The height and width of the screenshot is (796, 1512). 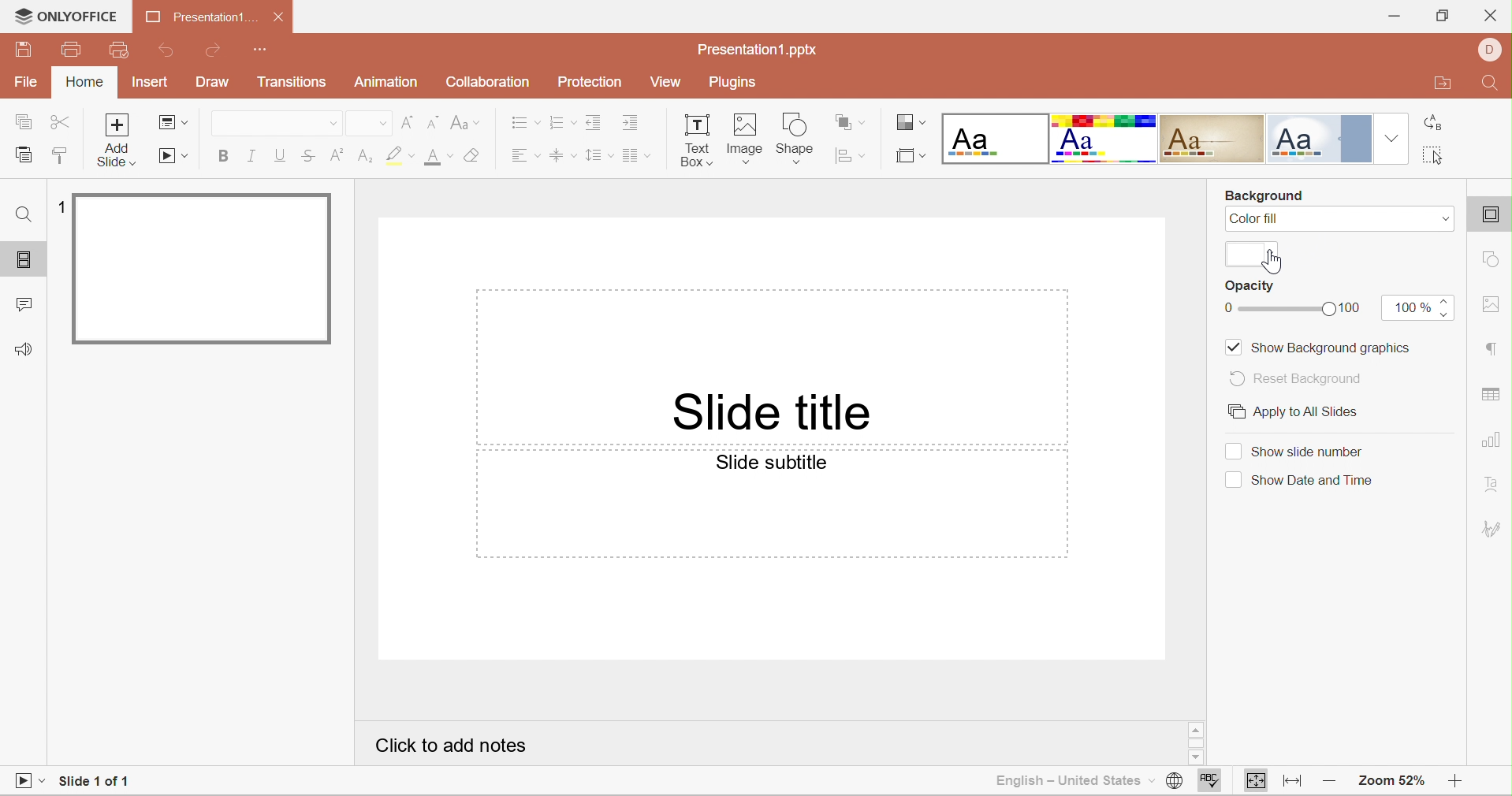 What do you see at coordinates (149, 83) in the screenshot?
I see `Insert` at bounding box center [149, 83].